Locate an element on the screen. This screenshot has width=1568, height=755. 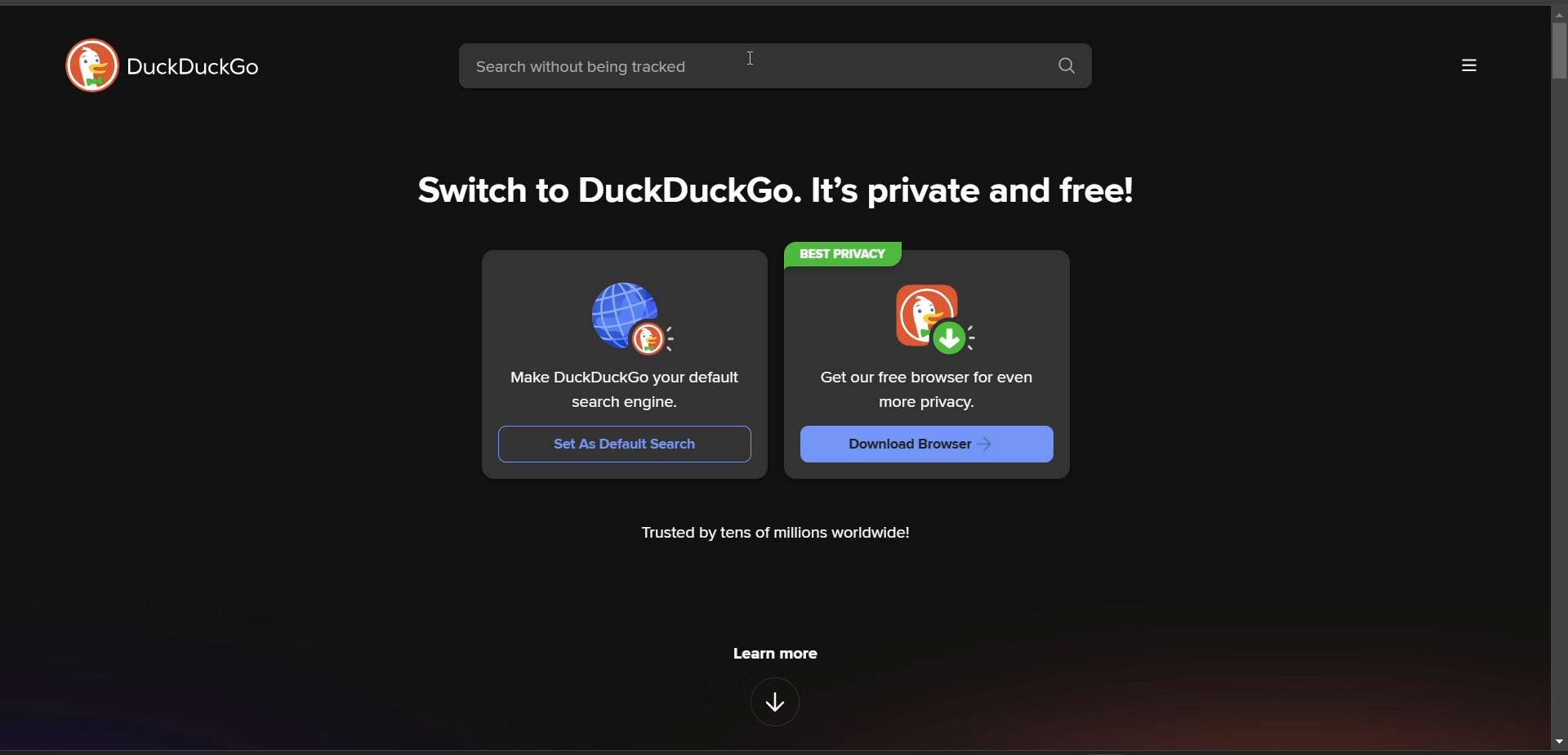
Trusted by tens of millions worldwide! is located at coordinates (775, 533).